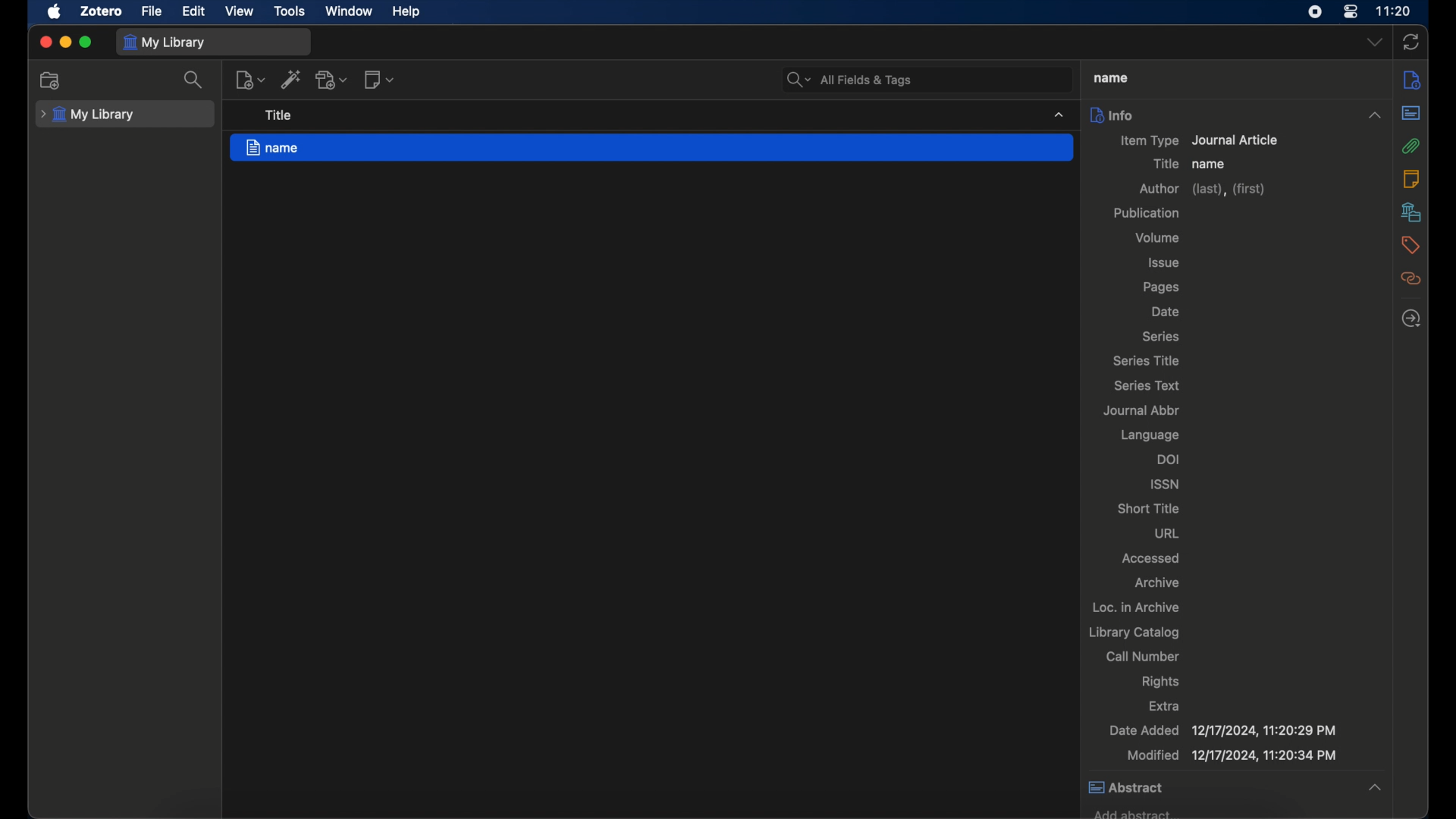 The height and width of the screenshot is (819, 1456). I want to click on publication, so click(1147, 212).